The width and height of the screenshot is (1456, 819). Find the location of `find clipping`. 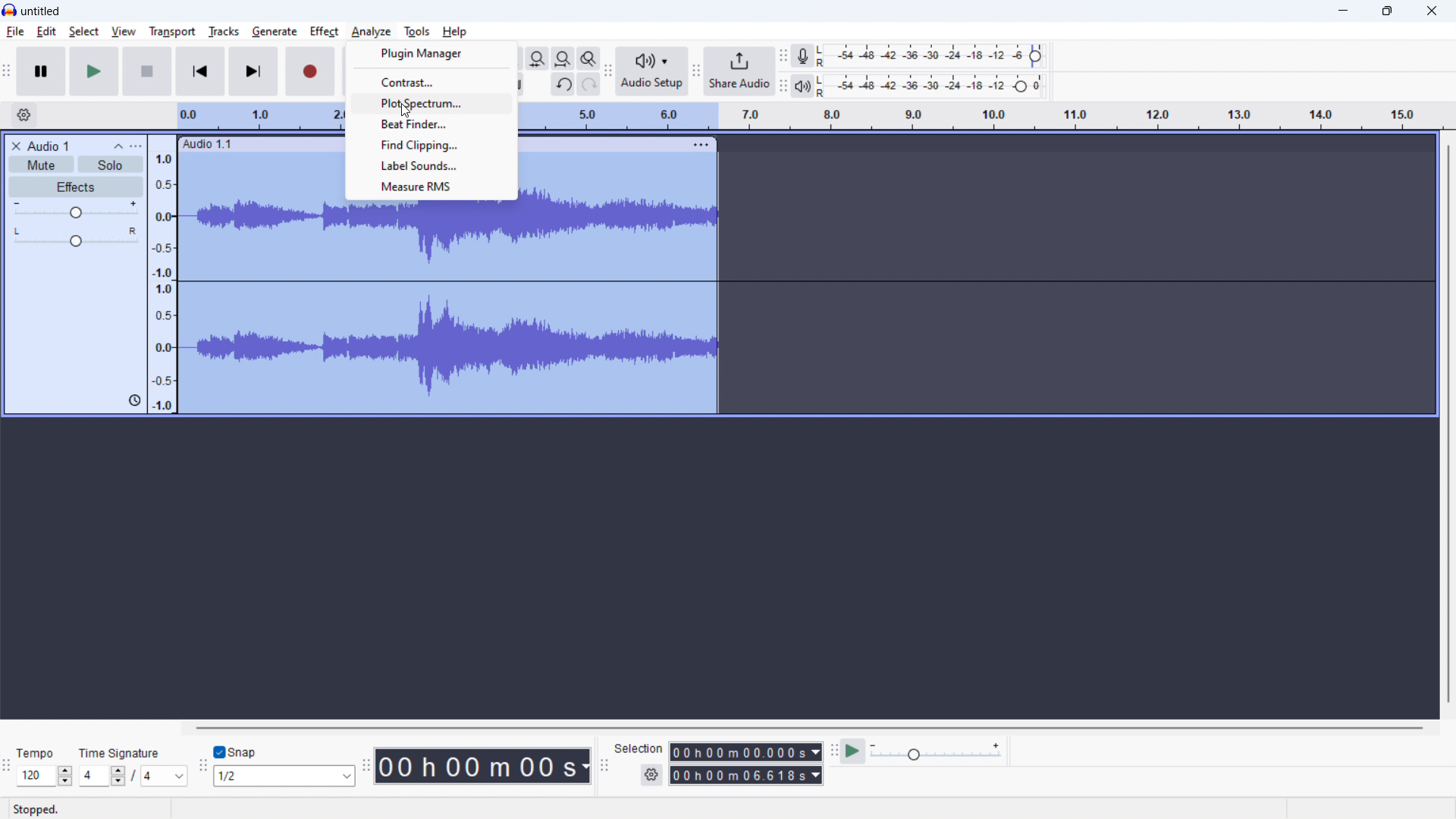

find clipping is located at coordinates (431, 144).